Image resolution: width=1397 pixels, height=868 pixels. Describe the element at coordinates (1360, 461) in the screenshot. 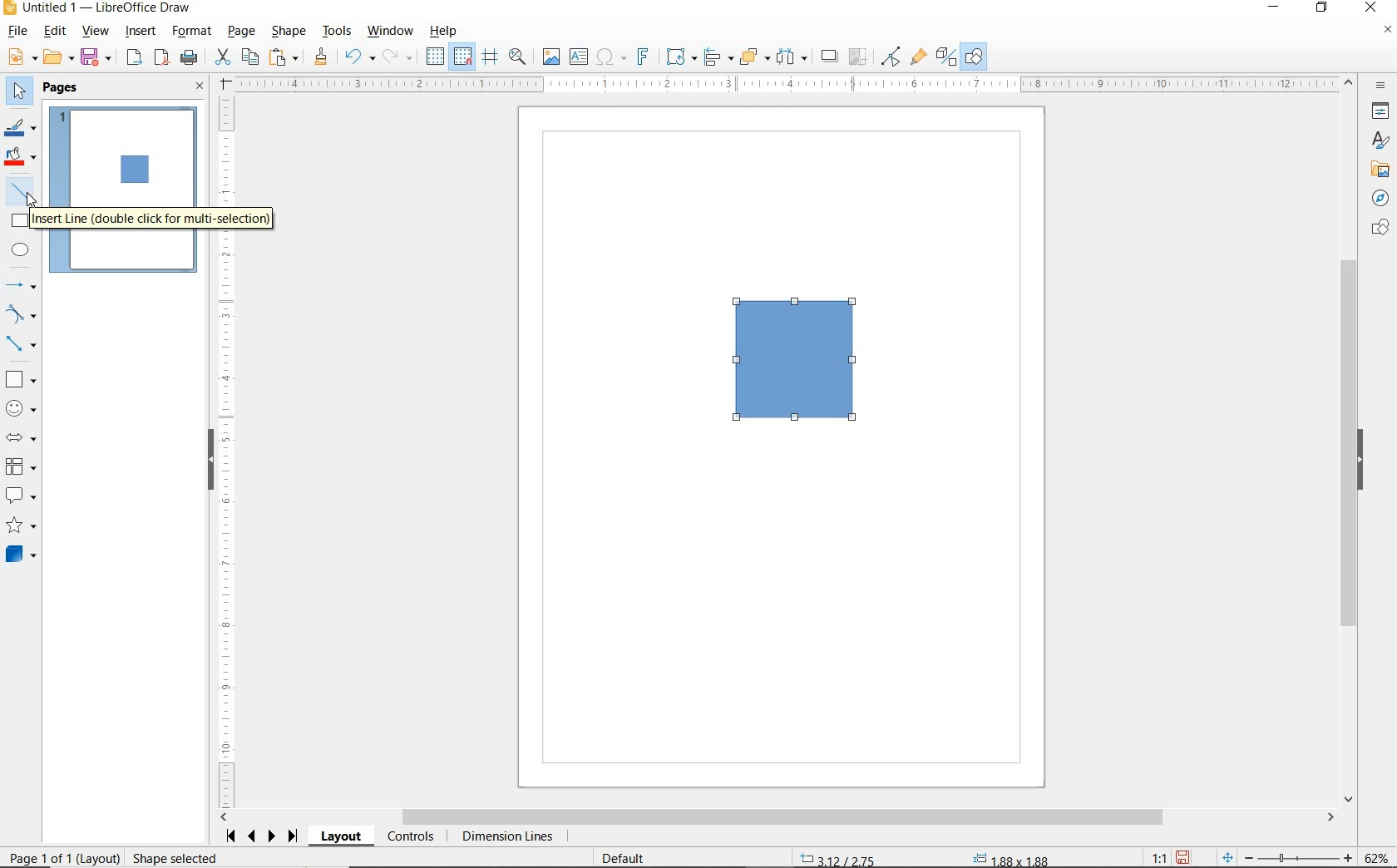

I see `HIDE` at that location.